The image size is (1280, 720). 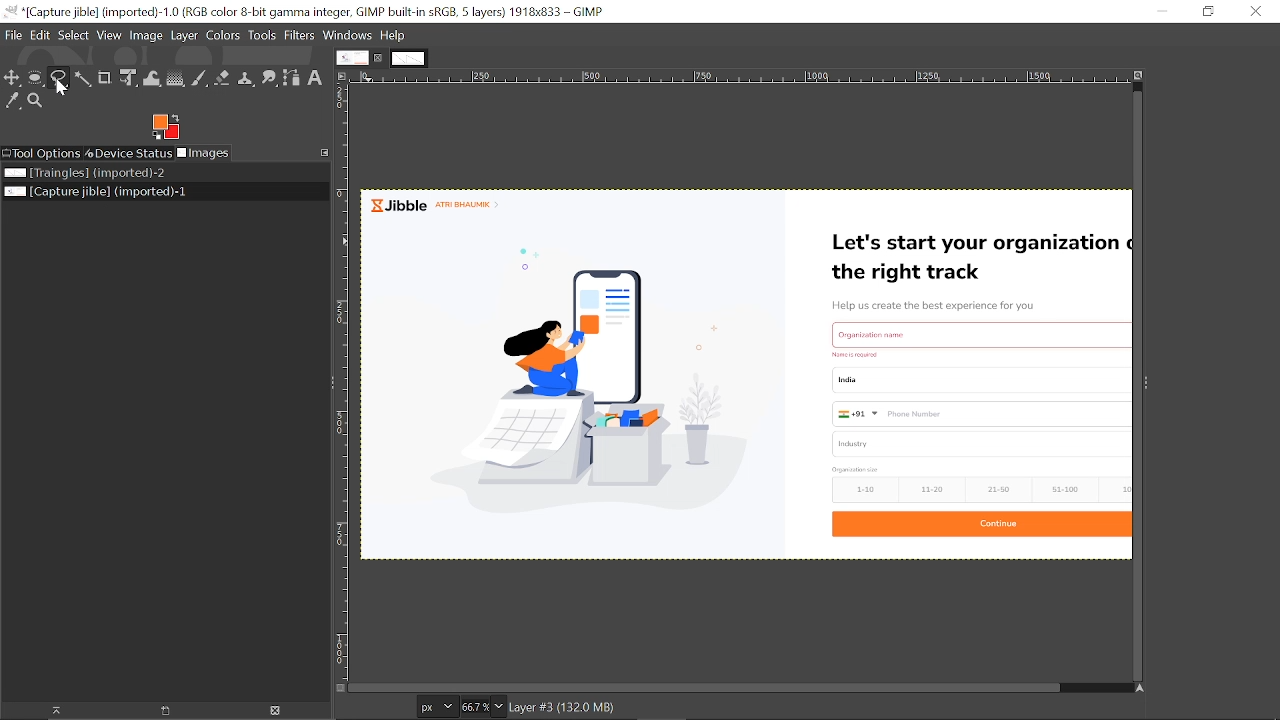 I want to click on layer details, so click(x=572, y=708).